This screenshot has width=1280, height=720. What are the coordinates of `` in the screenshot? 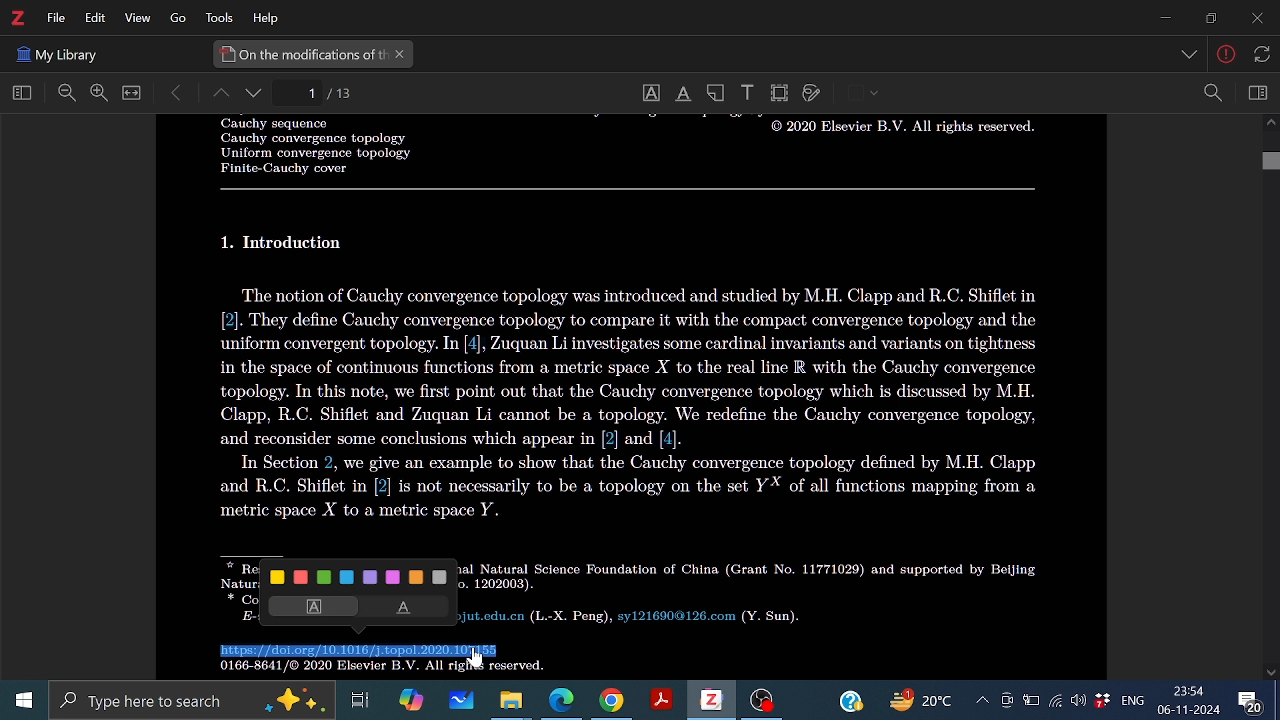 It's located at (875, 94).